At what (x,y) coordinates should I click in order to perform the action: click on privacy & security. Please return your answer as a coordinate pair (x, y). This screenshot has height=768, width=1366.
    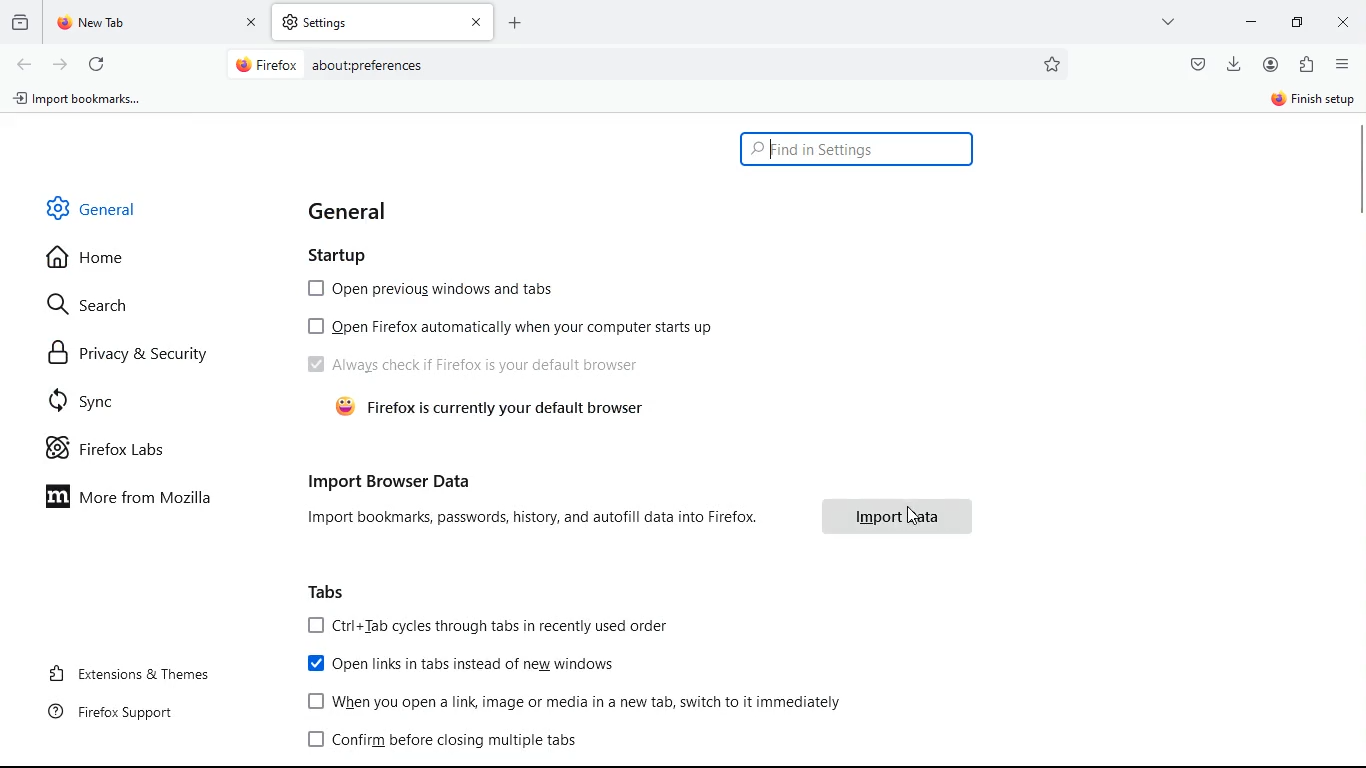
    Looking at the image, I should click on (142, 353).